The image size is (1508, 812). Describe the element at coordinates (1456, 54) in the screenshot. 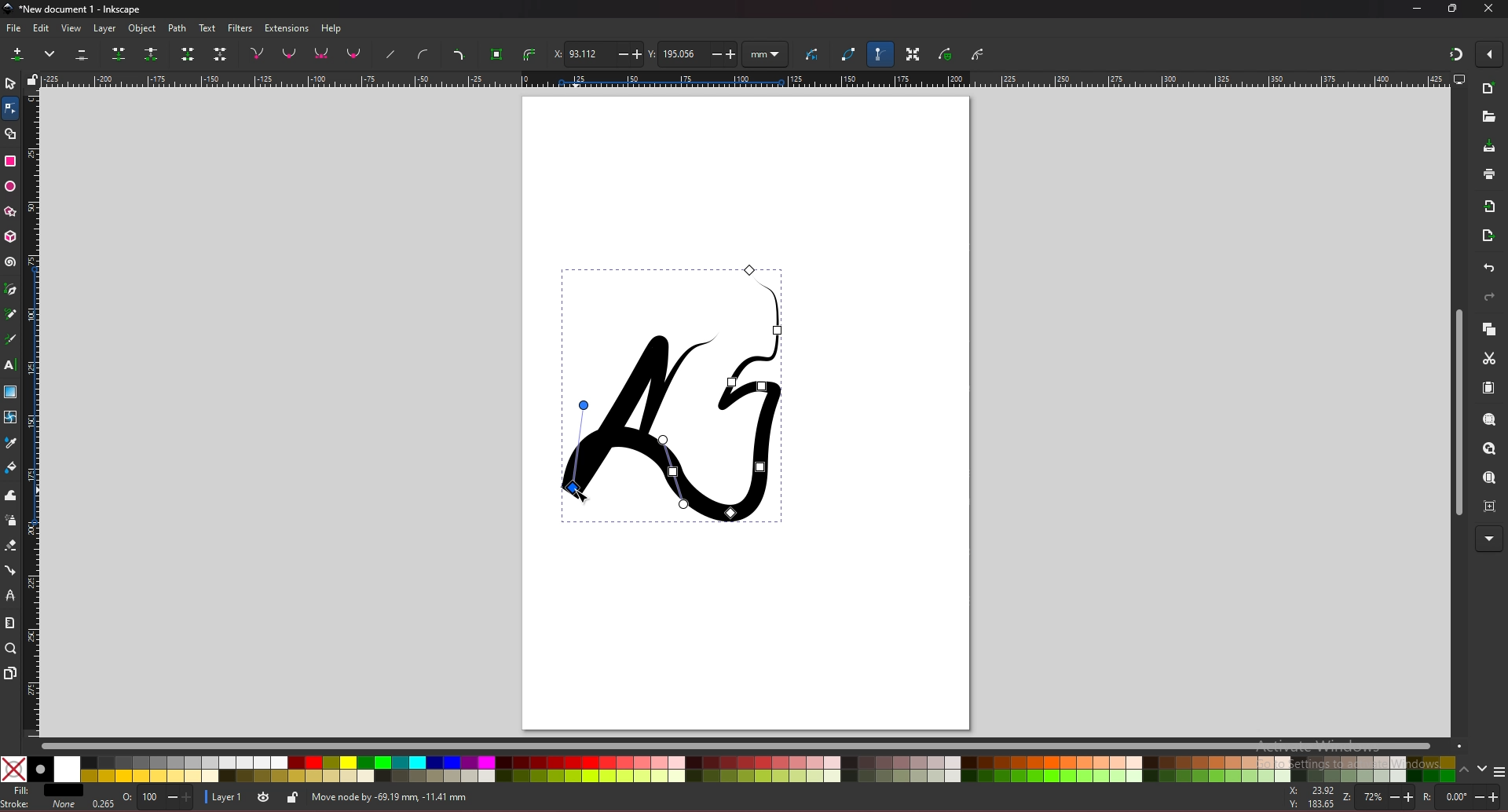

I see `snapping` at that location.